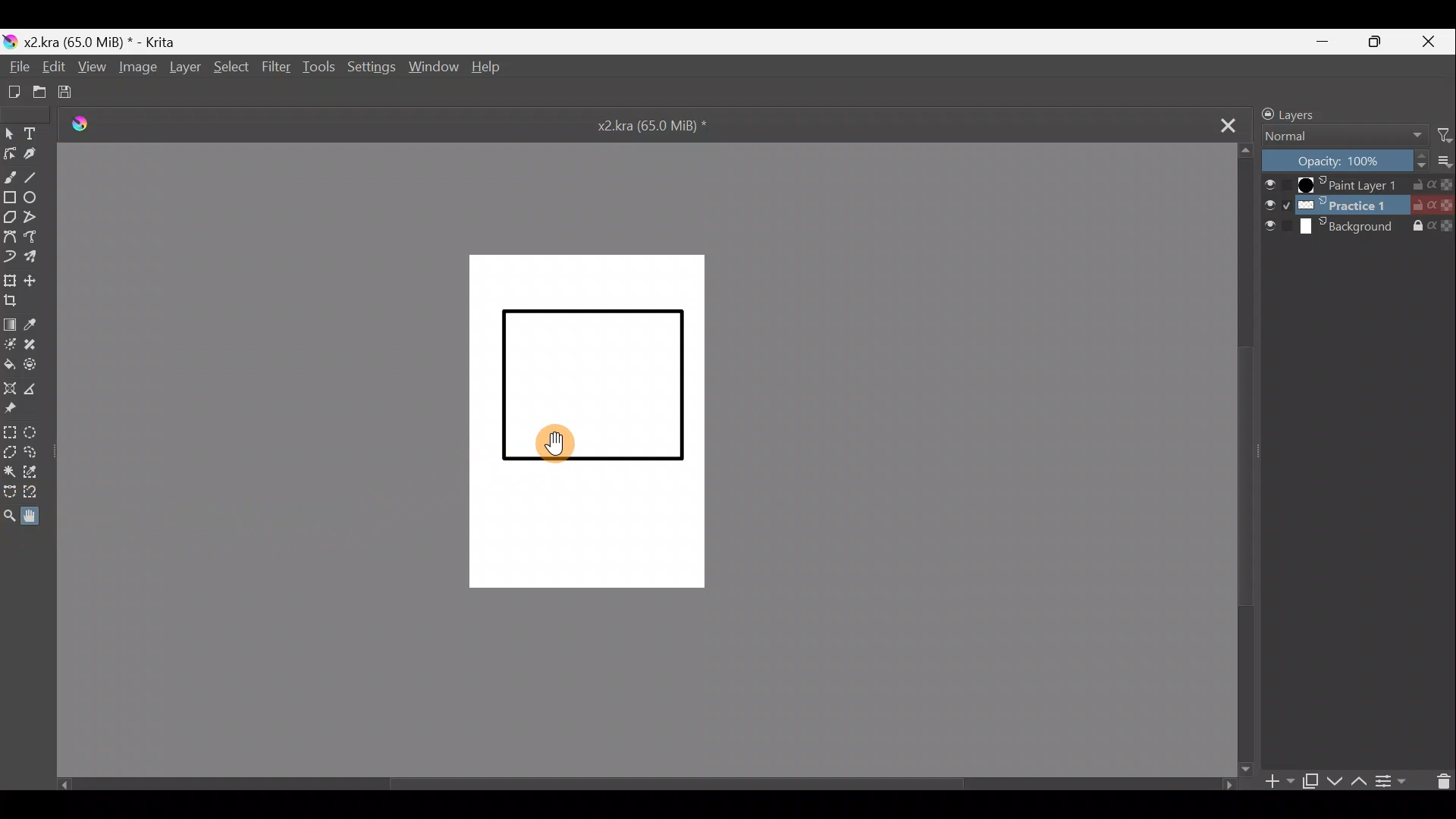 The image size is (1456, 819). What do you see at coordinates (9, 359) in the screenshot?
I see `Fill a contiguous area of colour with colour/fill a selection` at bounding box center [9, 359].